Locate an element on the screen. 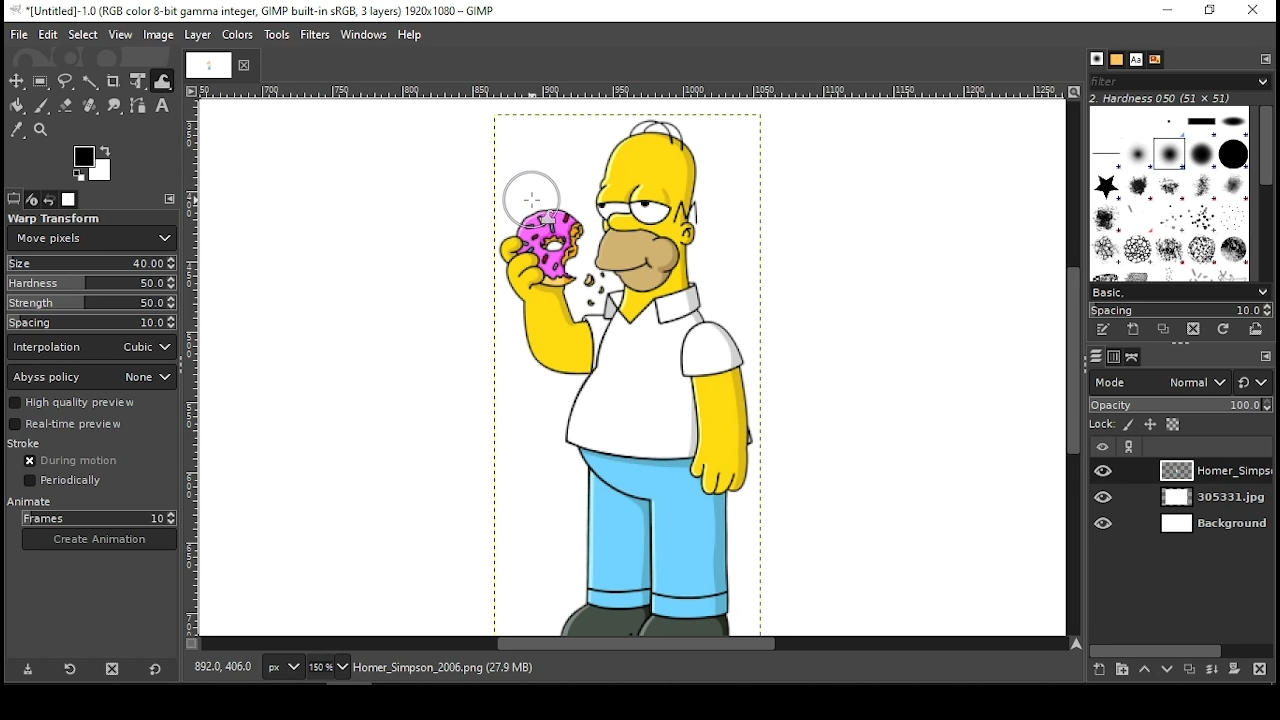  image is located at coordinates (160, 35).